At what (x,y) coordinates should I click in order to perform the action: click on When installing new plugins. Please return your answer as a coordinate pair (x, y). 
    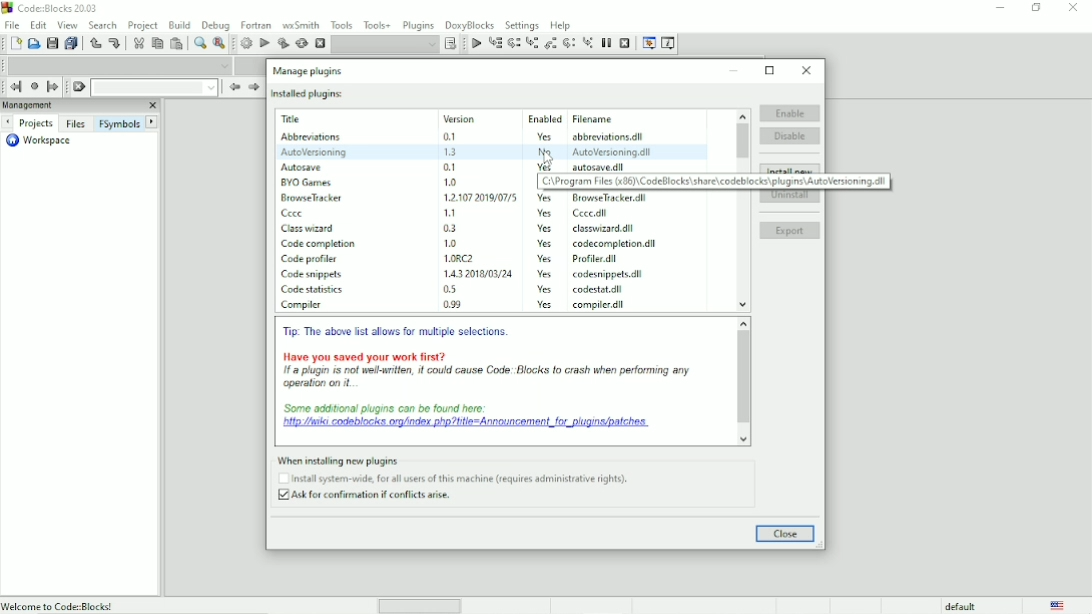
    Looking at the image, I should click on (457, 479).